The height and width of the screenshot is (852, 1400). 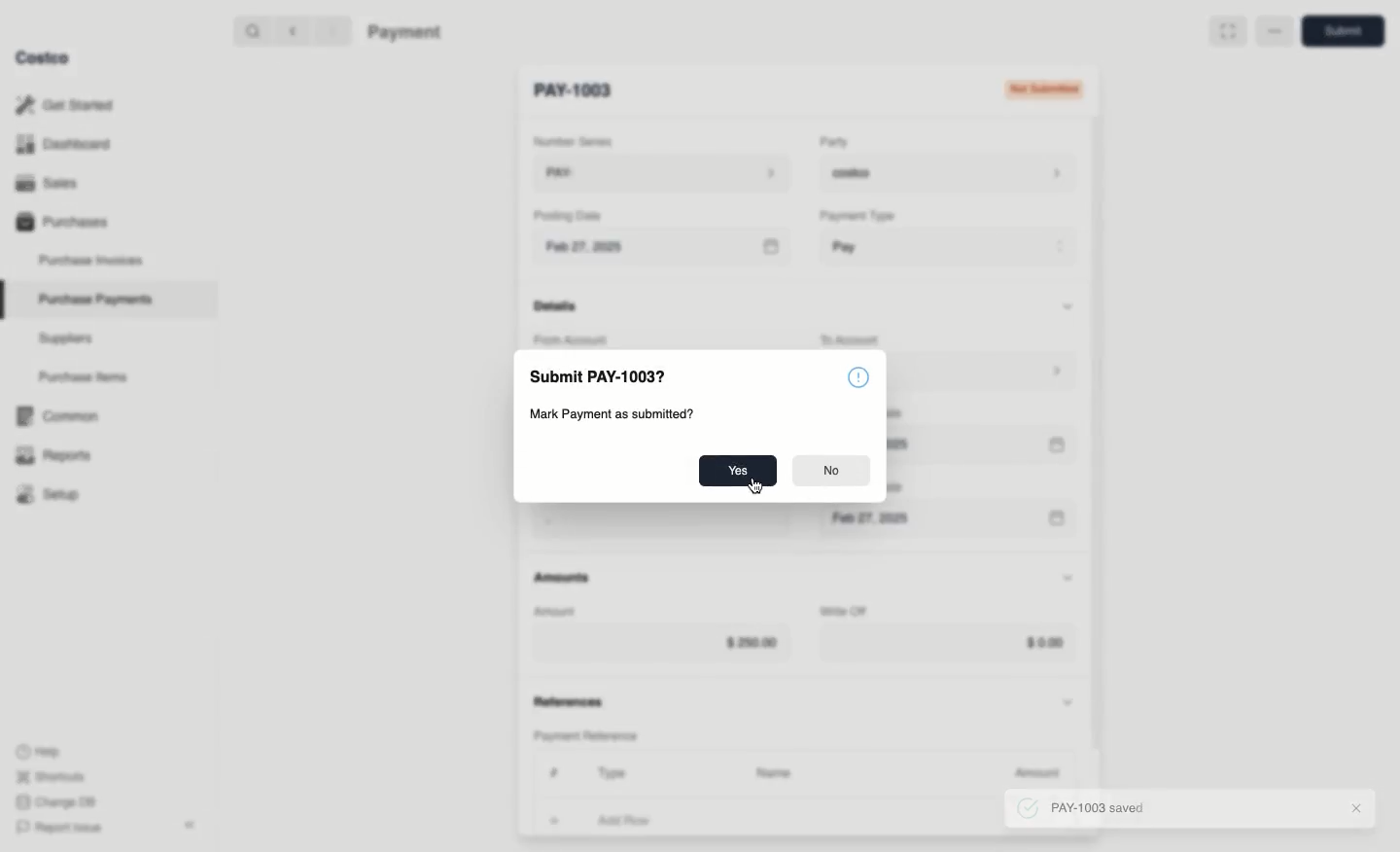 What do you see at coordinates (61, 221) in the screenshot?
I see `Purchases` at bounding box center [61, 221].